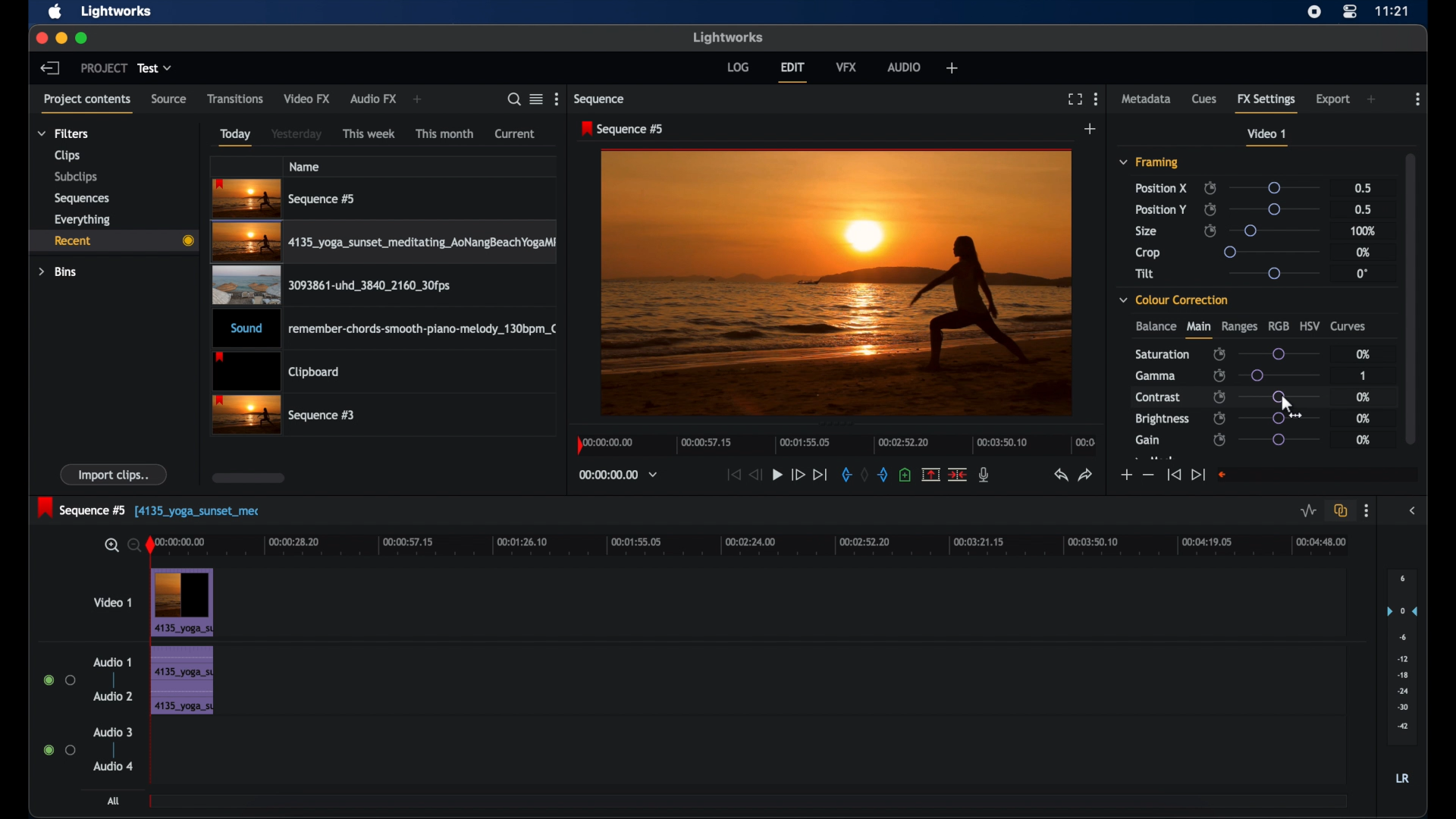 This screenshot has width=1456, height=819. Describe the element at coordinates (86, 102) in the screenshot. I see `project contents` at that location.